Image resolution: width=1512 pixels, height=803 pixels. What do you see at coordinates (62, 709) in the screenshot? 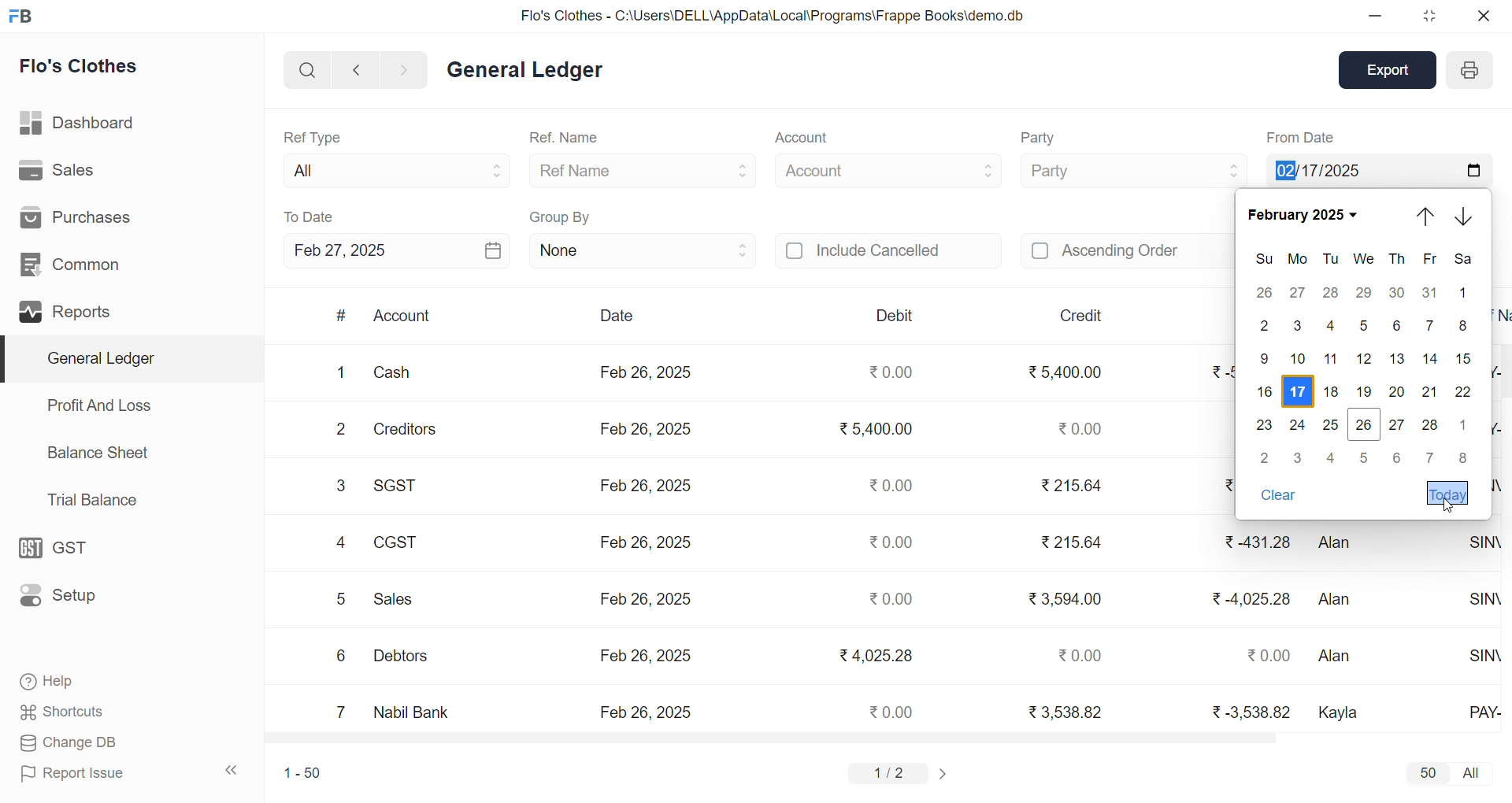
I see `Shortcuts` at bounding box center [62, 709].